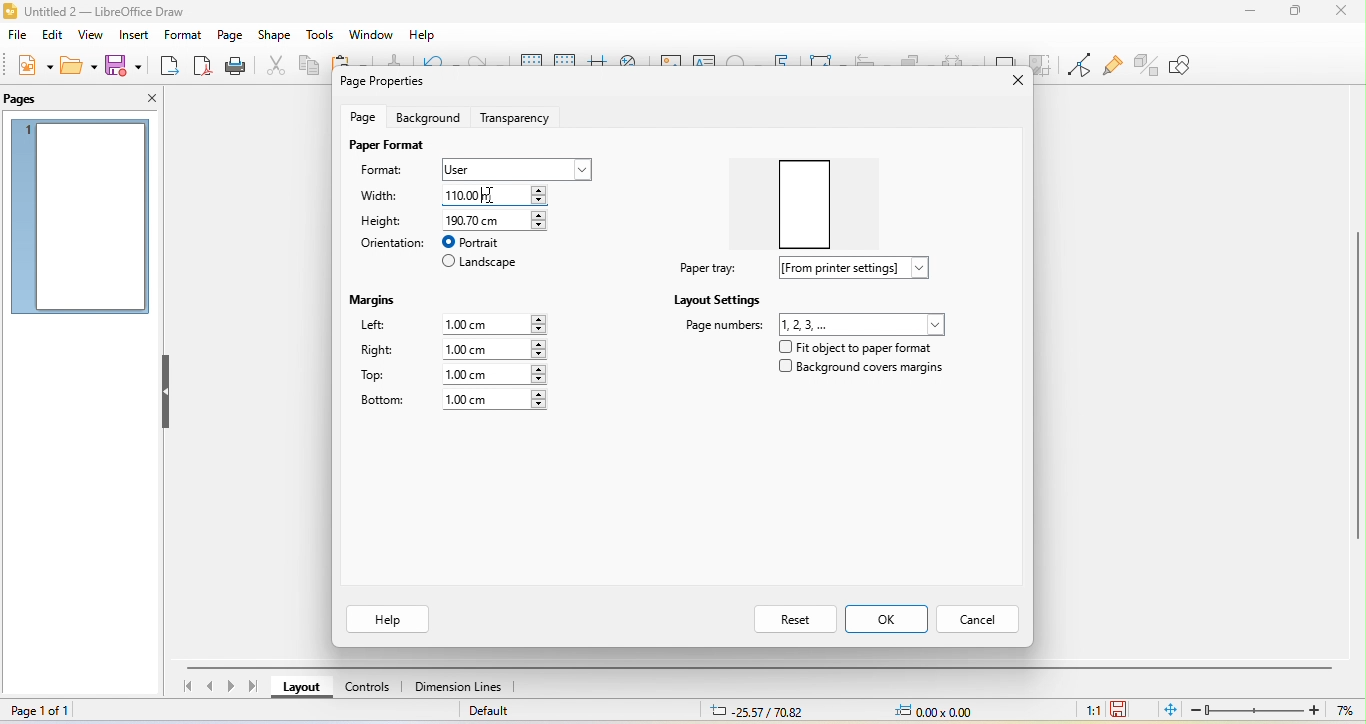 The height and width of the screenshot is (724, 1366). Describe the element at coordinates (77, 65) in the screenshot. I see `open` at that location.